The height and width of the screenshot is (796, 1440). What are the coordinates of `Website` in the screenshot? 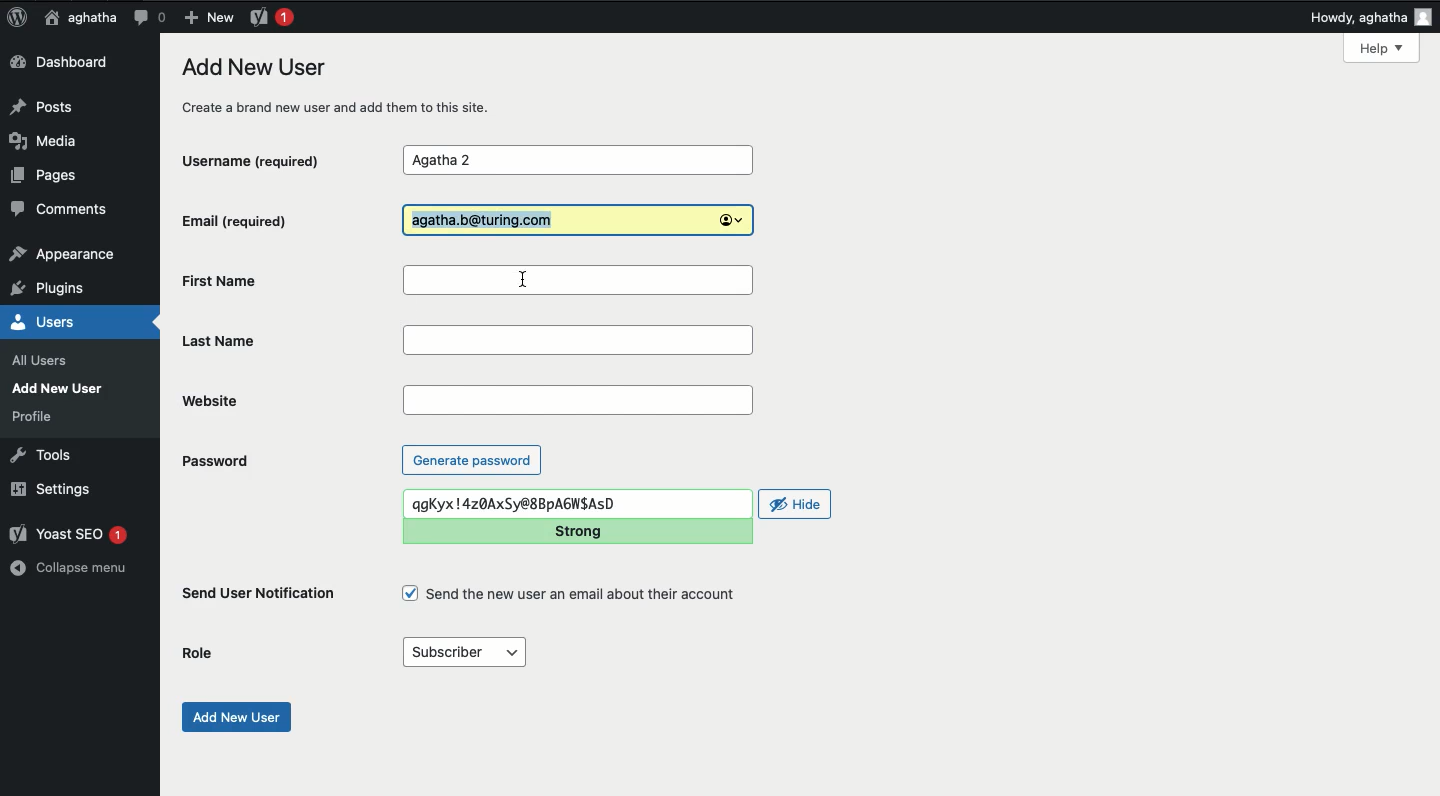 It's located at (287, 400).